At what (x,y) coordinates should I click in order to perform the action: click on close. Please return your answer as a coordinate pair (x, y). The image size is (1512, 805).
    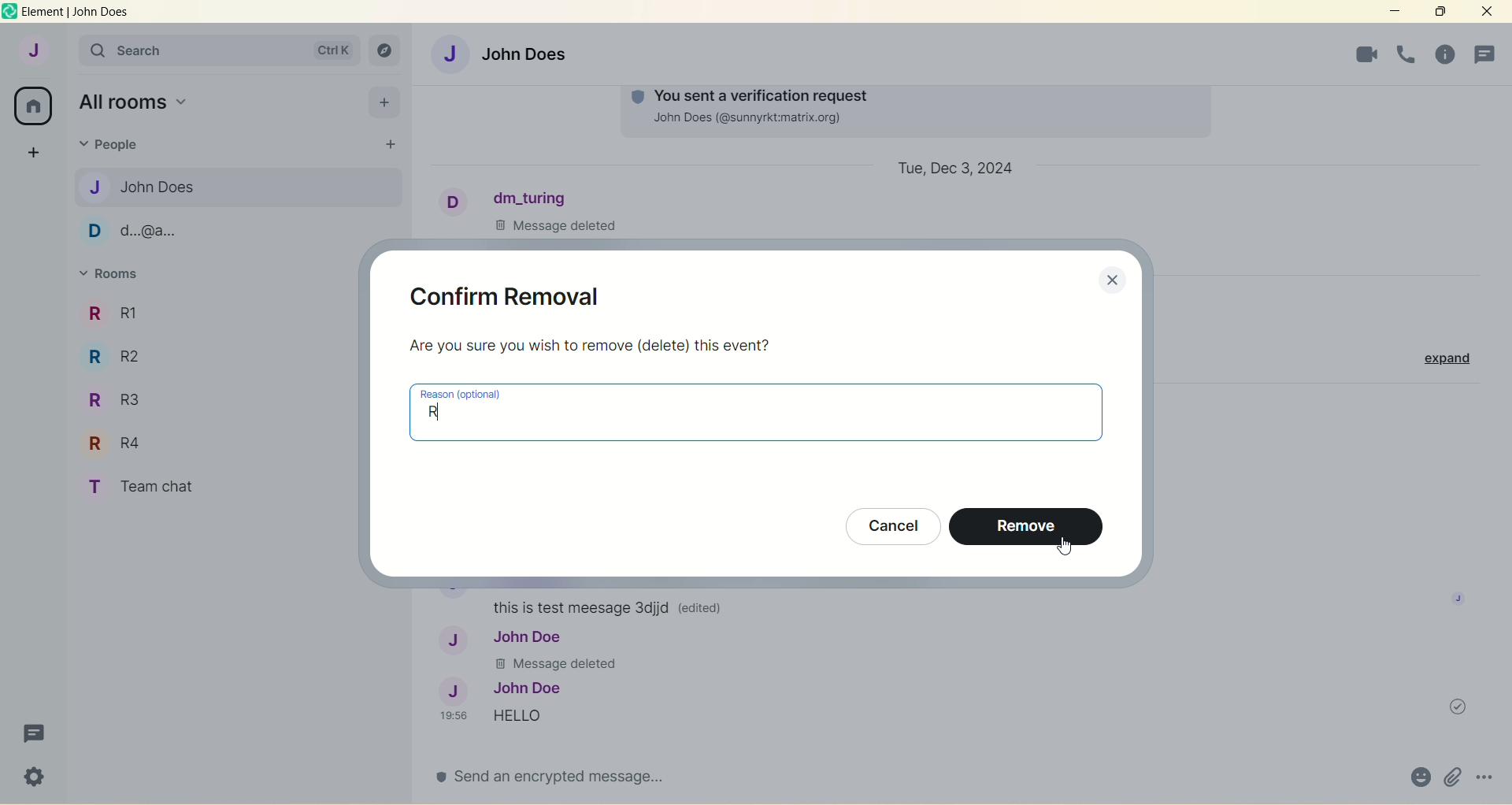
    Looking at the image, I should click on (1121, 280).